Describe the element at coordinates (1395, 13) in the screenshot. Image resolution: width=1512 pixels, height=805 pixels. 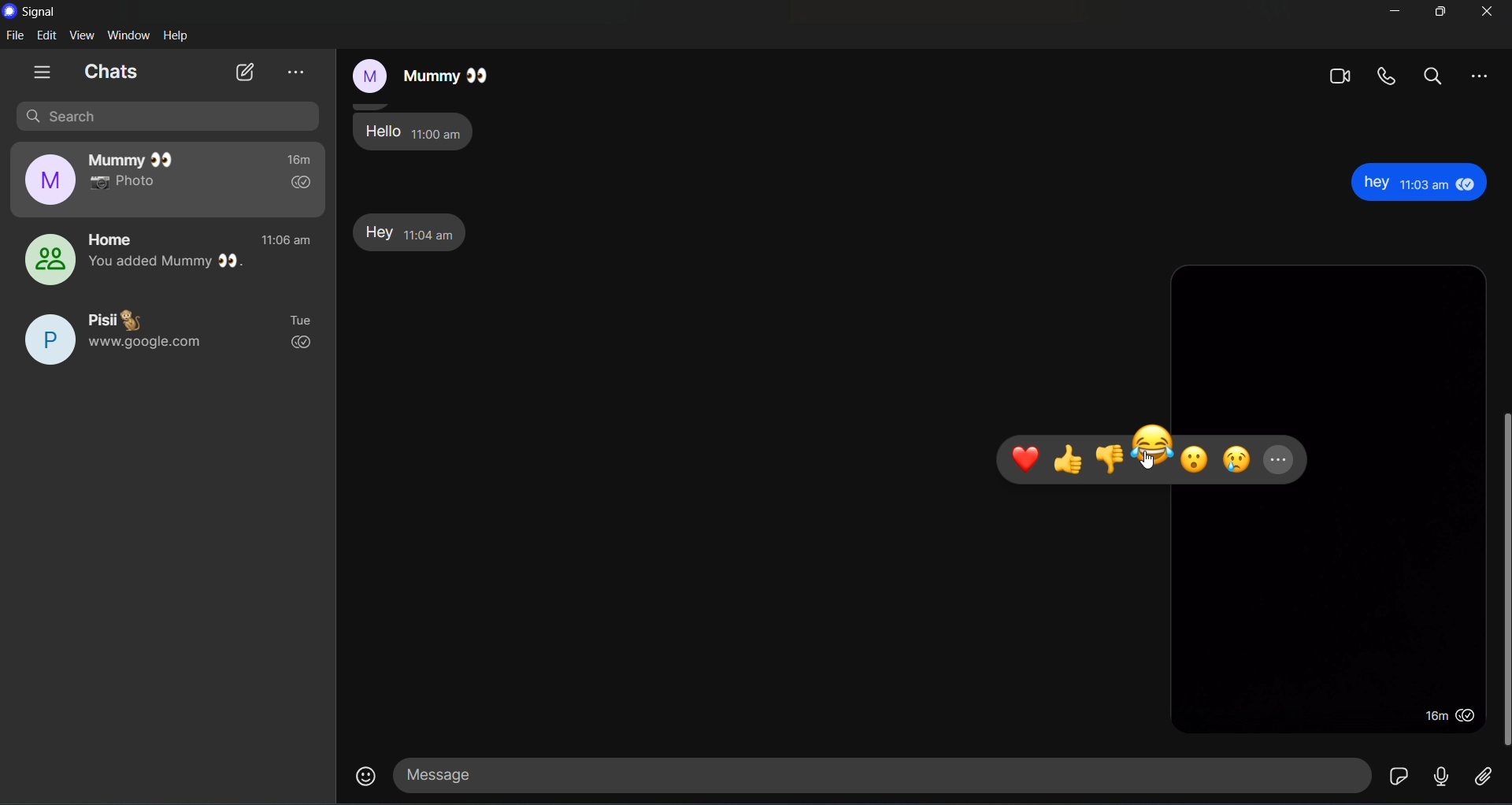
I see `minimize` at that location.